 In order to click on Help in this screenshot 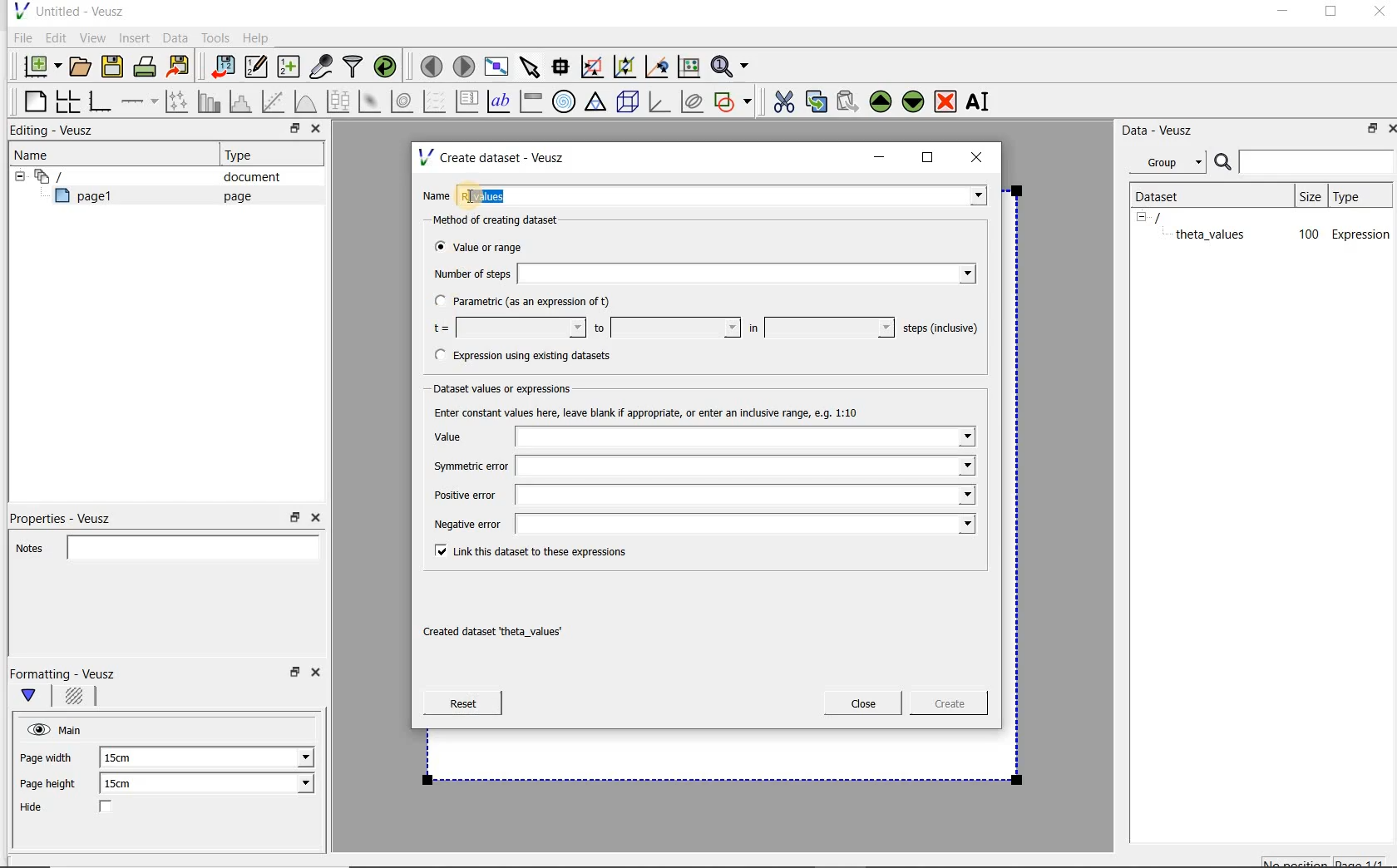, I will do `click(258, 37)`.